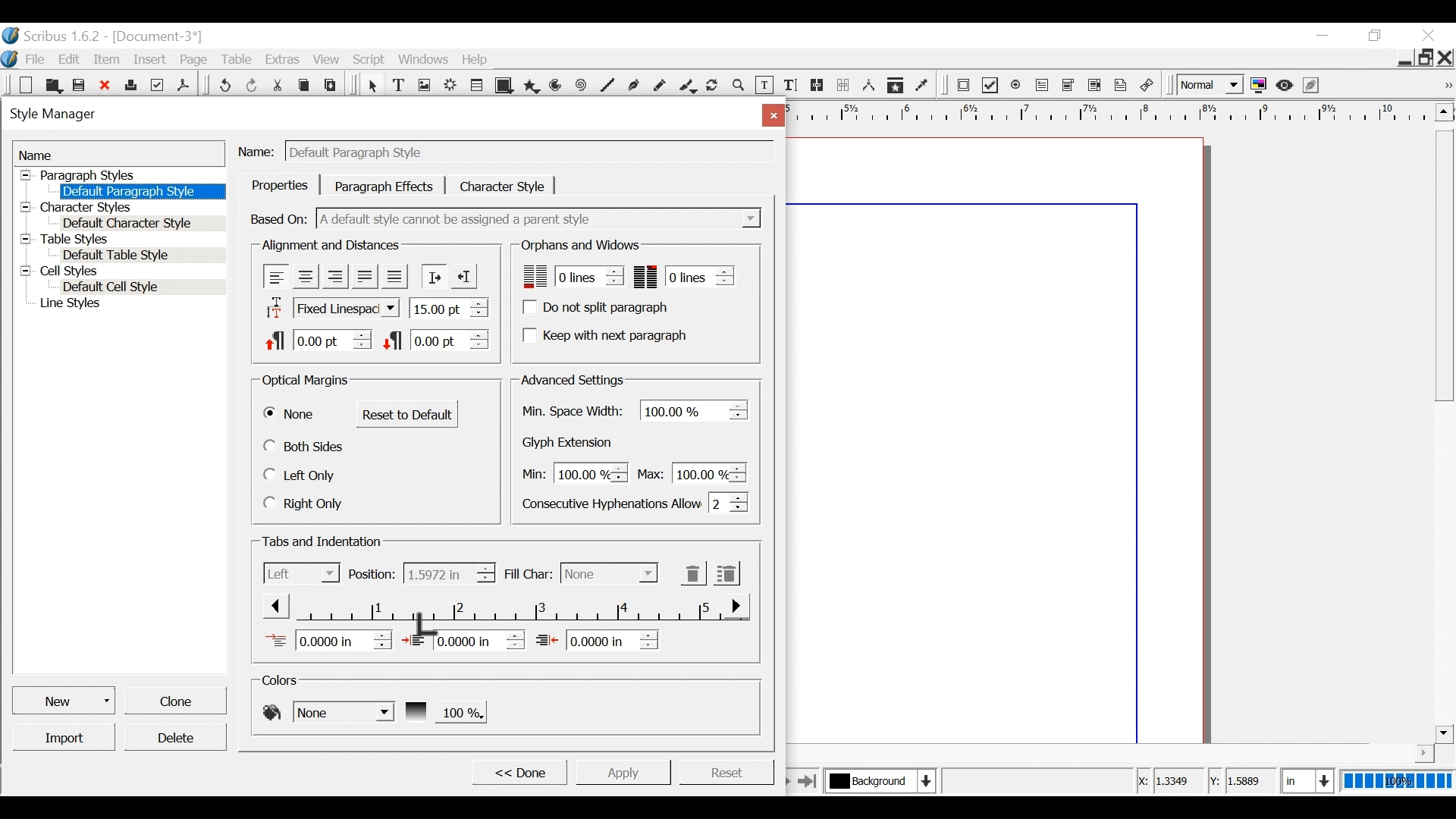 Image resolution: width=1456 pixels, height=819 pixels. I want to click on Align Right, so click(334, 276).